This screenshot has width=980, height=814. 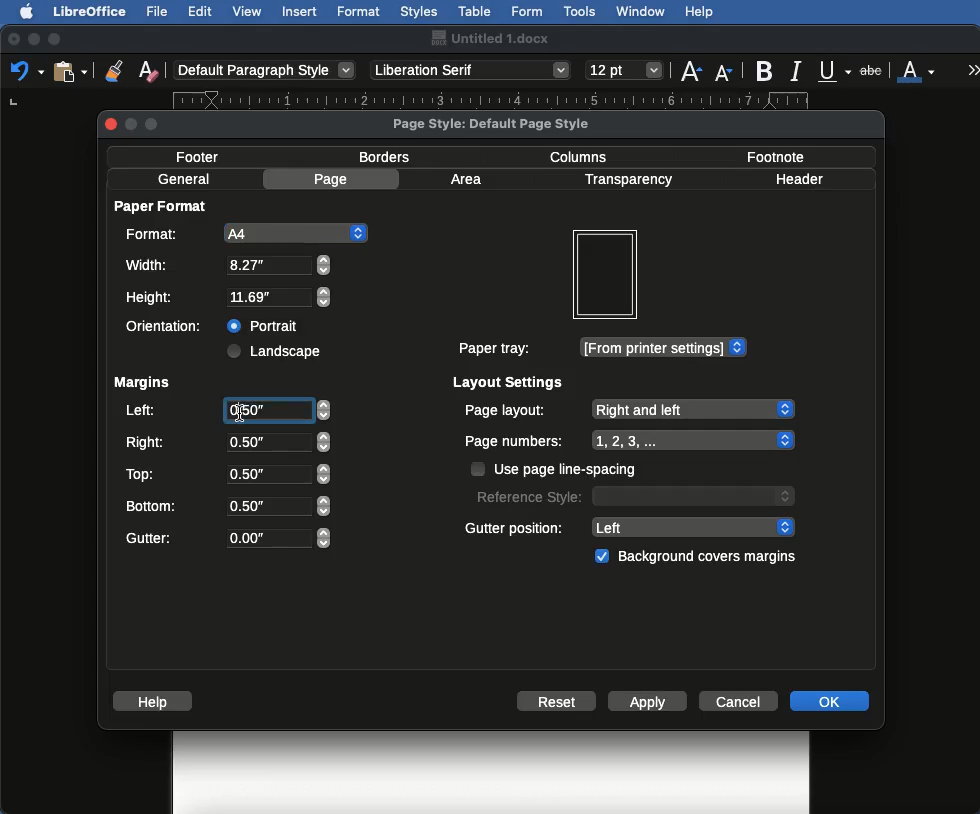 What do you see at coordinates (226, 412) in the screenshot?
I see `Left` at bounding box center [226, 412].